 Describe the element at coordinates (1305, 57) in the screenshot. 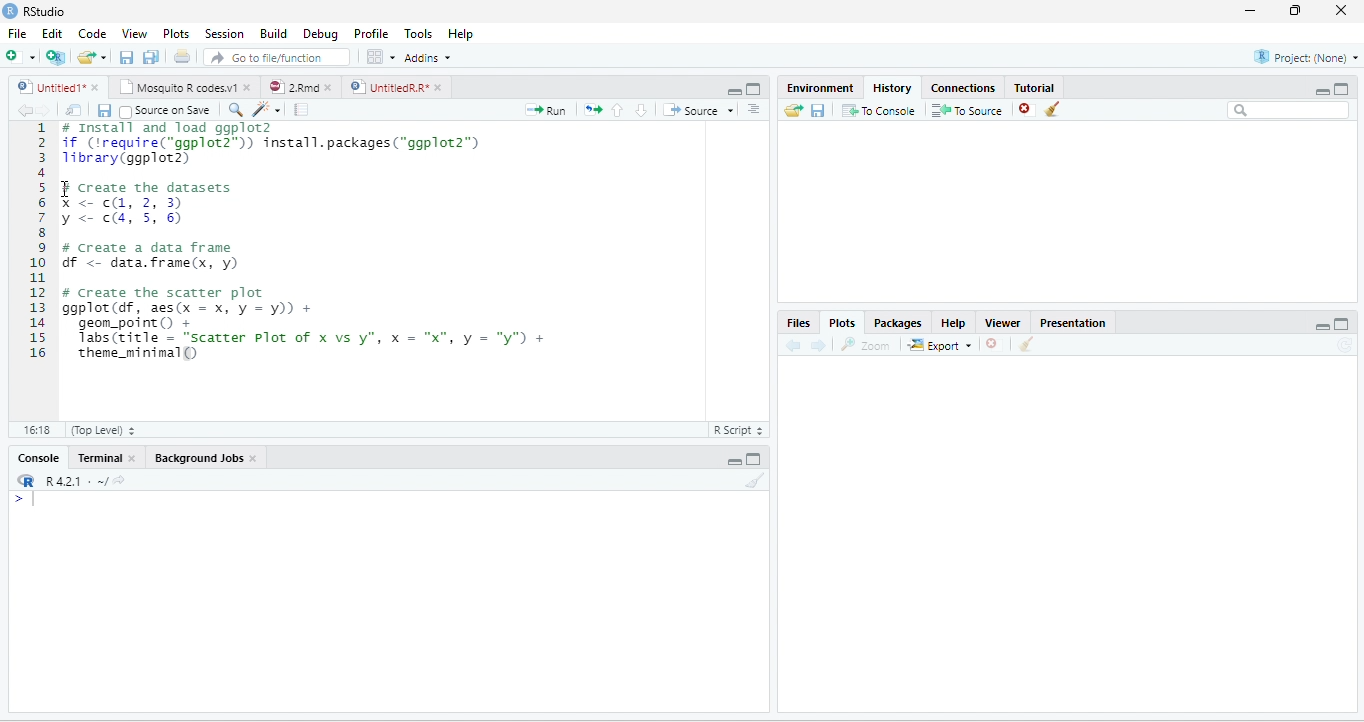

I see `Project: (None)` at that location.